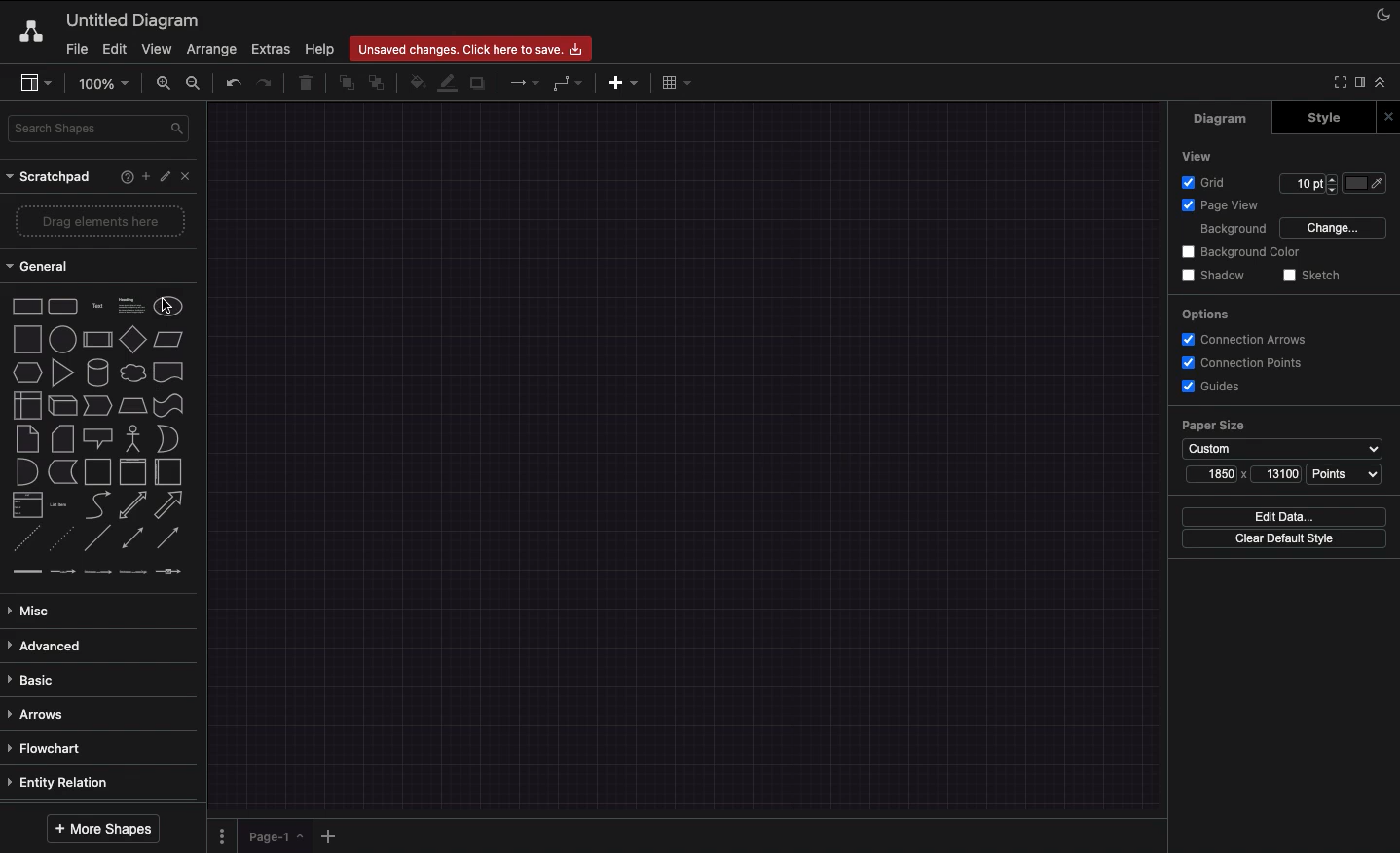 Image resolution: width=1400 pixels, height=853 pixels. Describe the element at coordinates (1207, 473) in the screenshot. I see `1850` at that location.